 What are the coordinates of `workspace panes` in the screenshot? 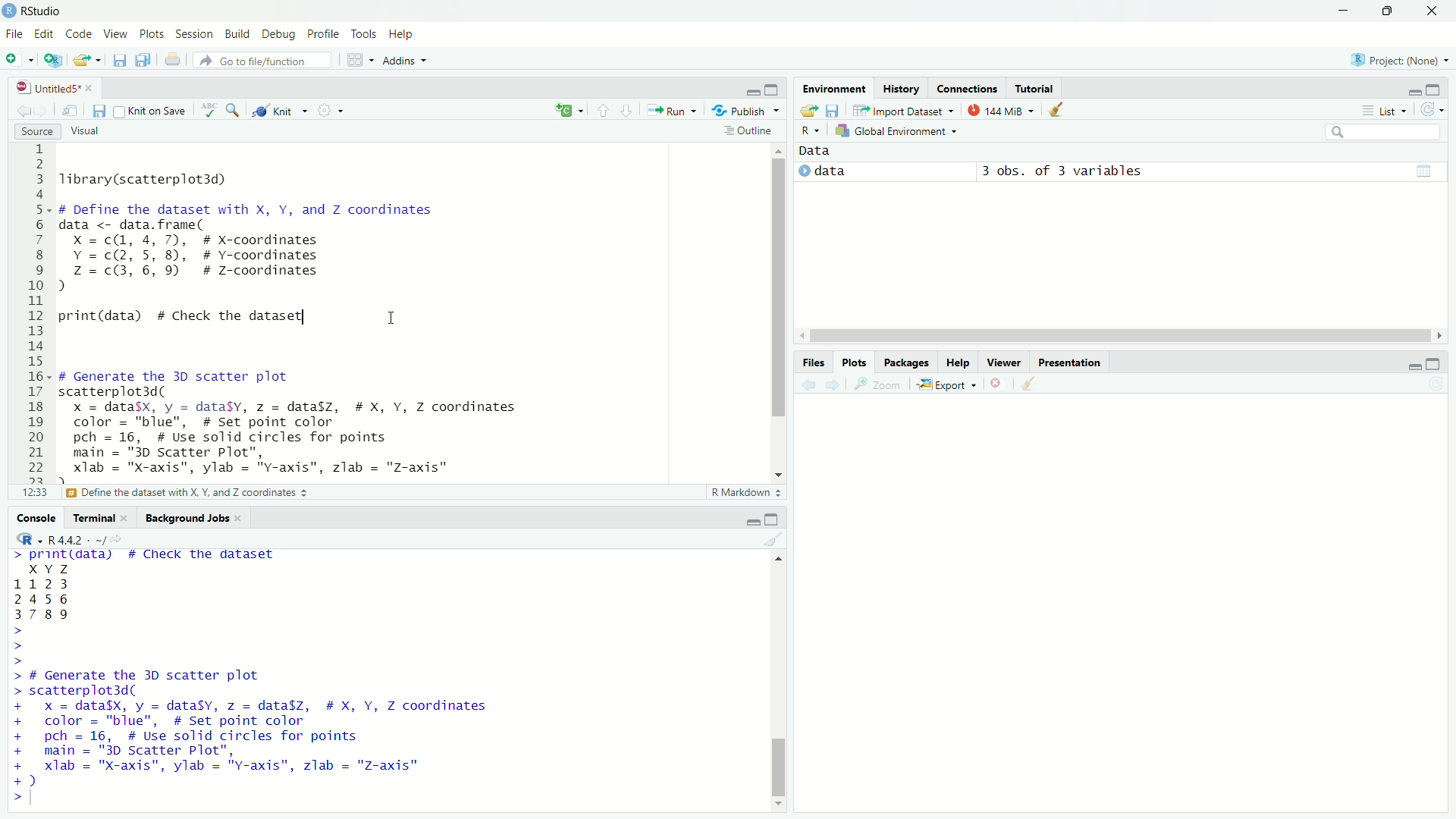 It's located at (359, 60).